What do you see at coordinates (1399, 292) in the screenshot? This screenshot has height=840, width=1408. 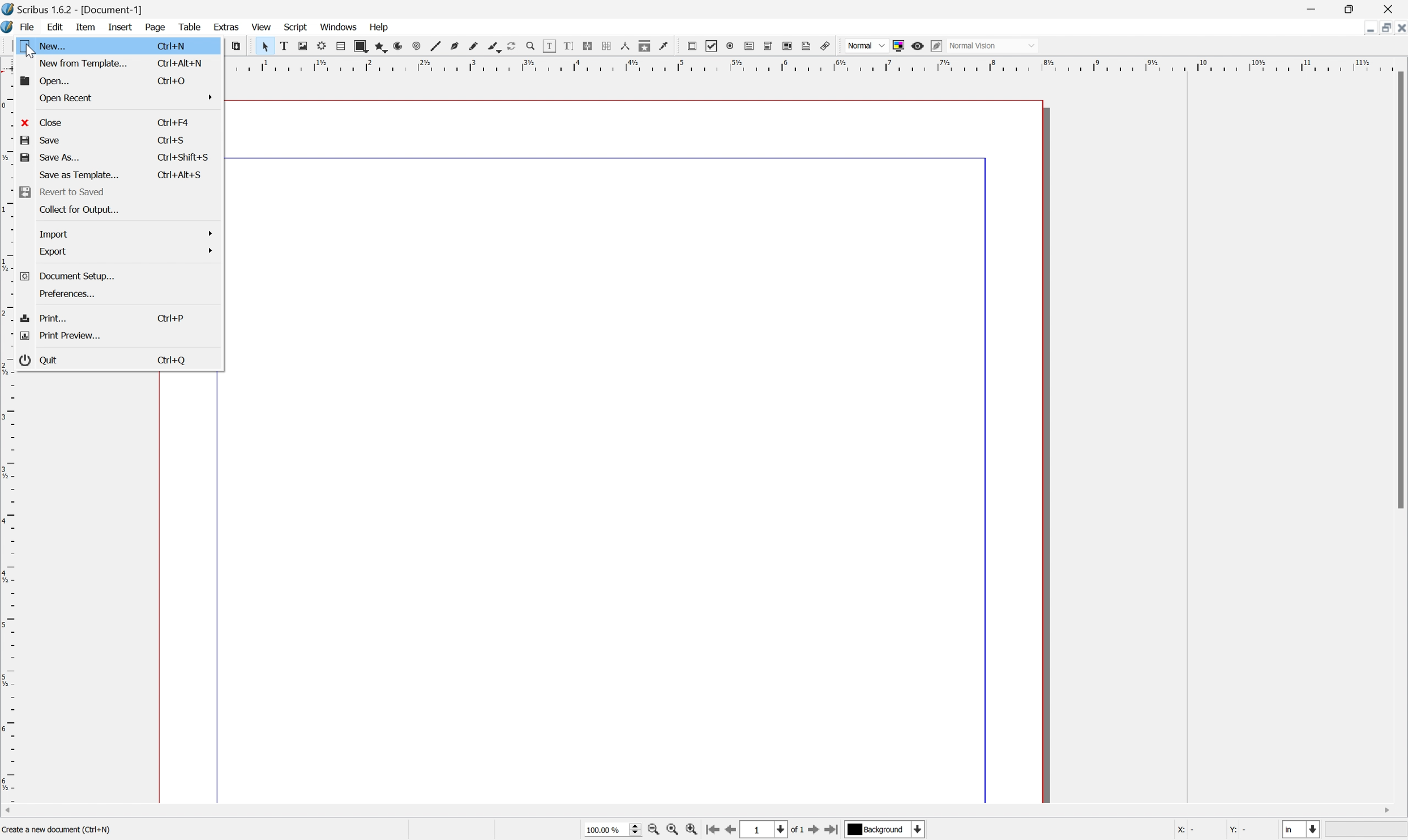 I see `Scroll bar` at bounding box center [1399, 292].